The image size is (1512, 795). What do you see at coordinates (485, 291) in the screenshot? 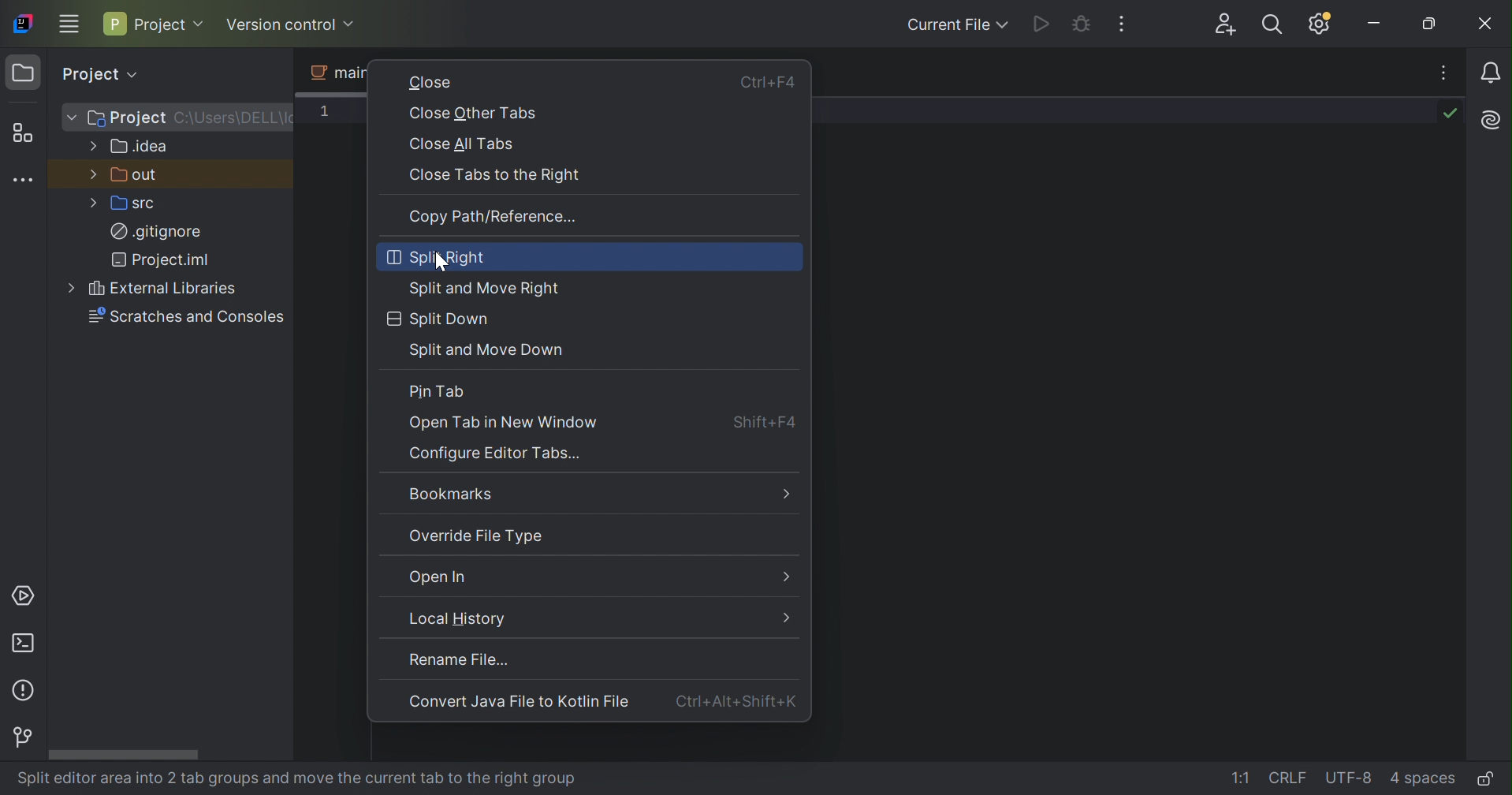
I see `Split and more right` at bounding box center [485, 291].